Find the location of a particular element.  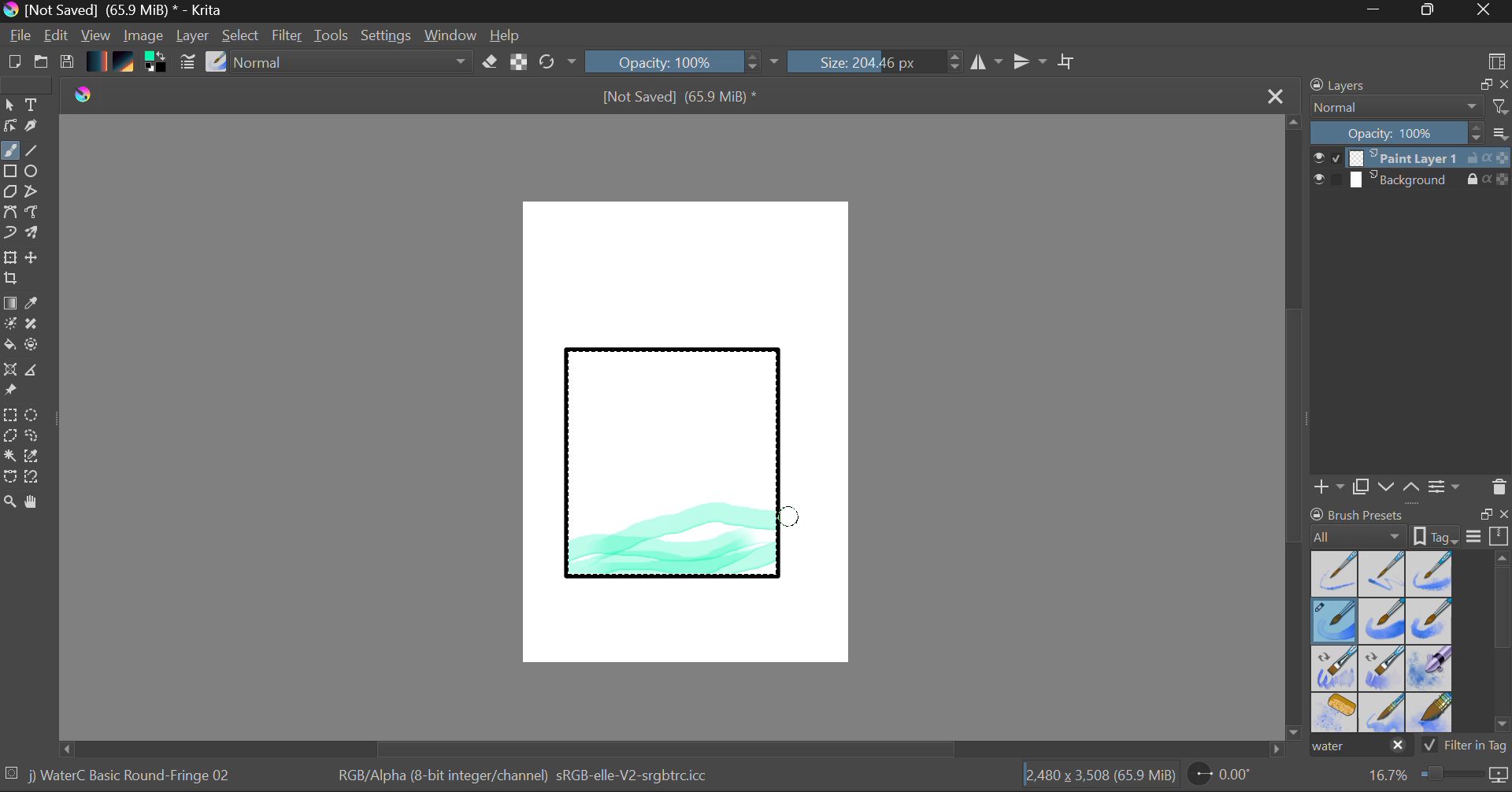

Layer Settings is located at coordinates (1445, 486).